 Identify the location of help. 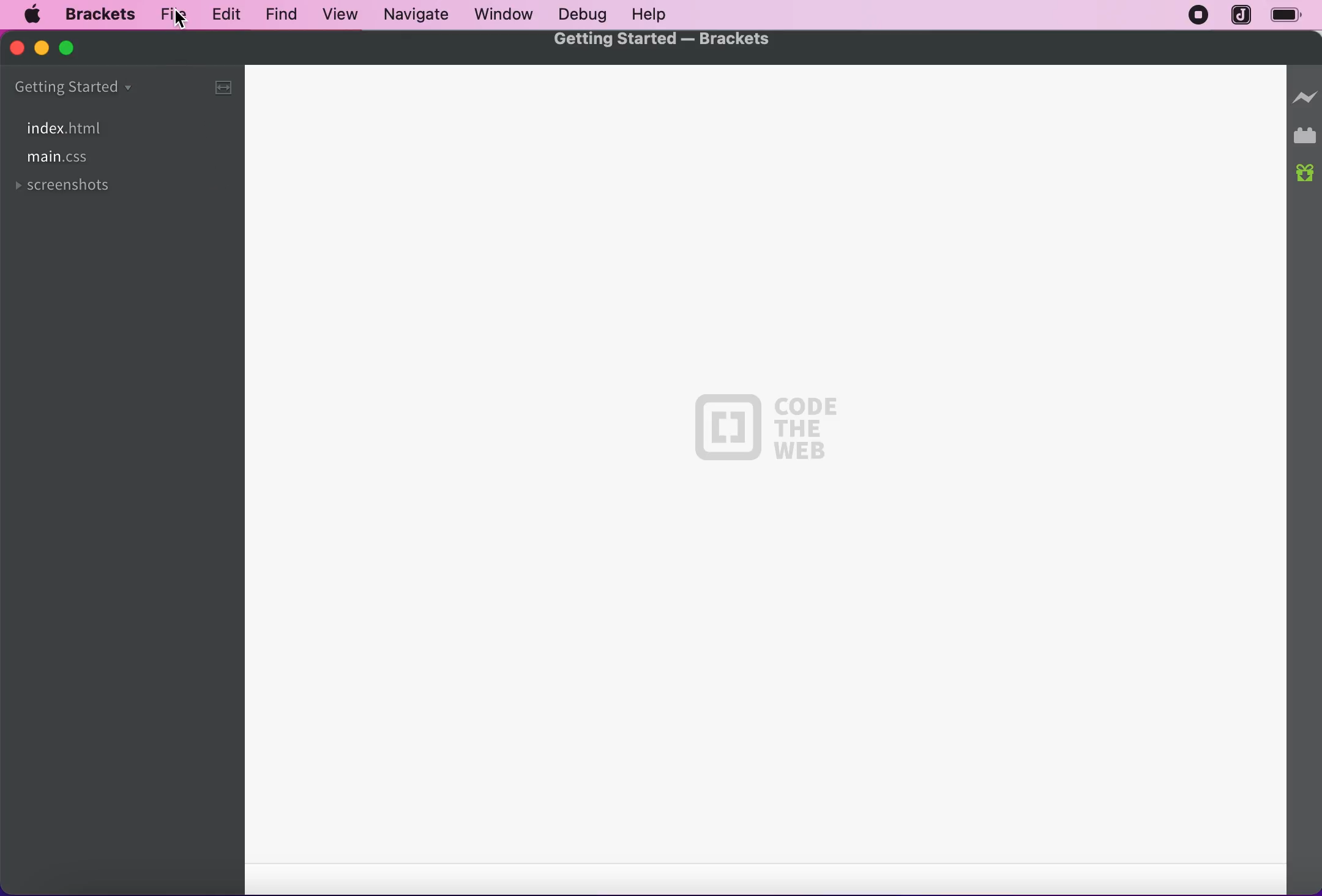
(649, 15).